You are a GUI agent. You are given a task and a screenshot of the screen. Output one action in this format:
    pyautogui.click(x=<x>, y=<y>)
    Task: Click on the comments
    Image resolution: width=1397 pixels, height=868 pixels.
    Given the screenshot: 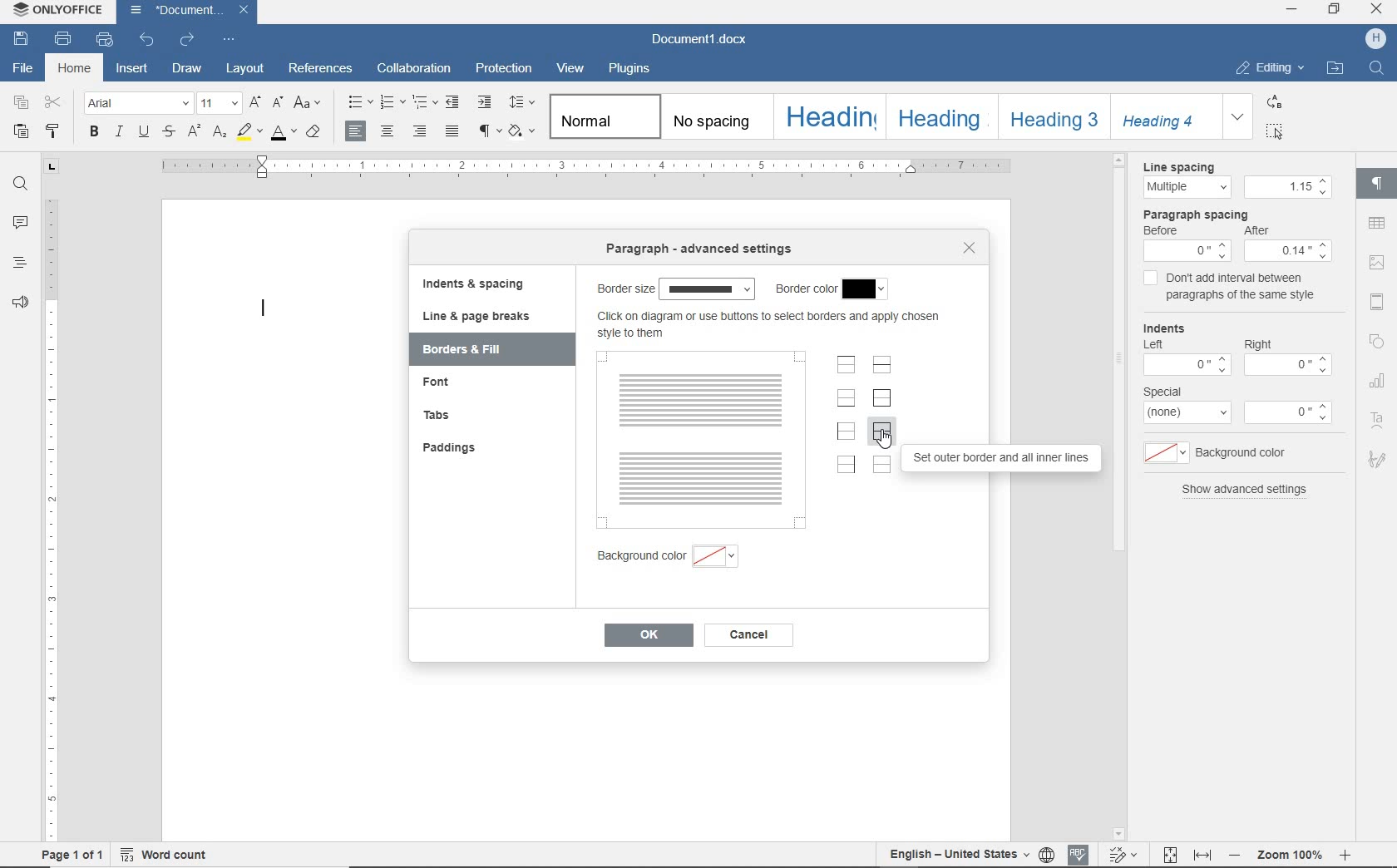 What is the action you would take?
    pyautogui.click(x=20, y=224)
    